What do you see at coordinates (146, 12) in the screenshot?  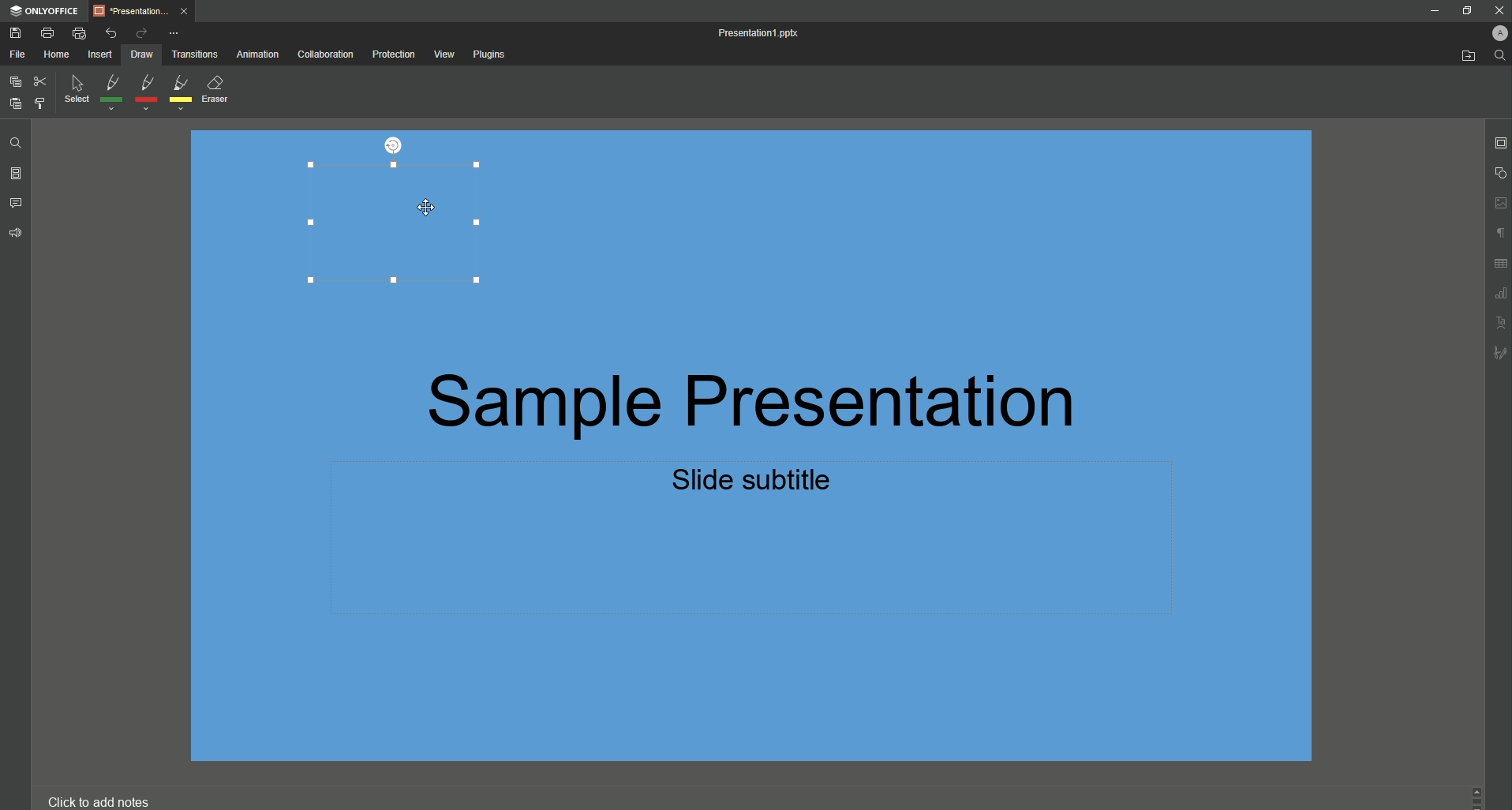 I see `Tab 1` at bounding box center [146, 12].